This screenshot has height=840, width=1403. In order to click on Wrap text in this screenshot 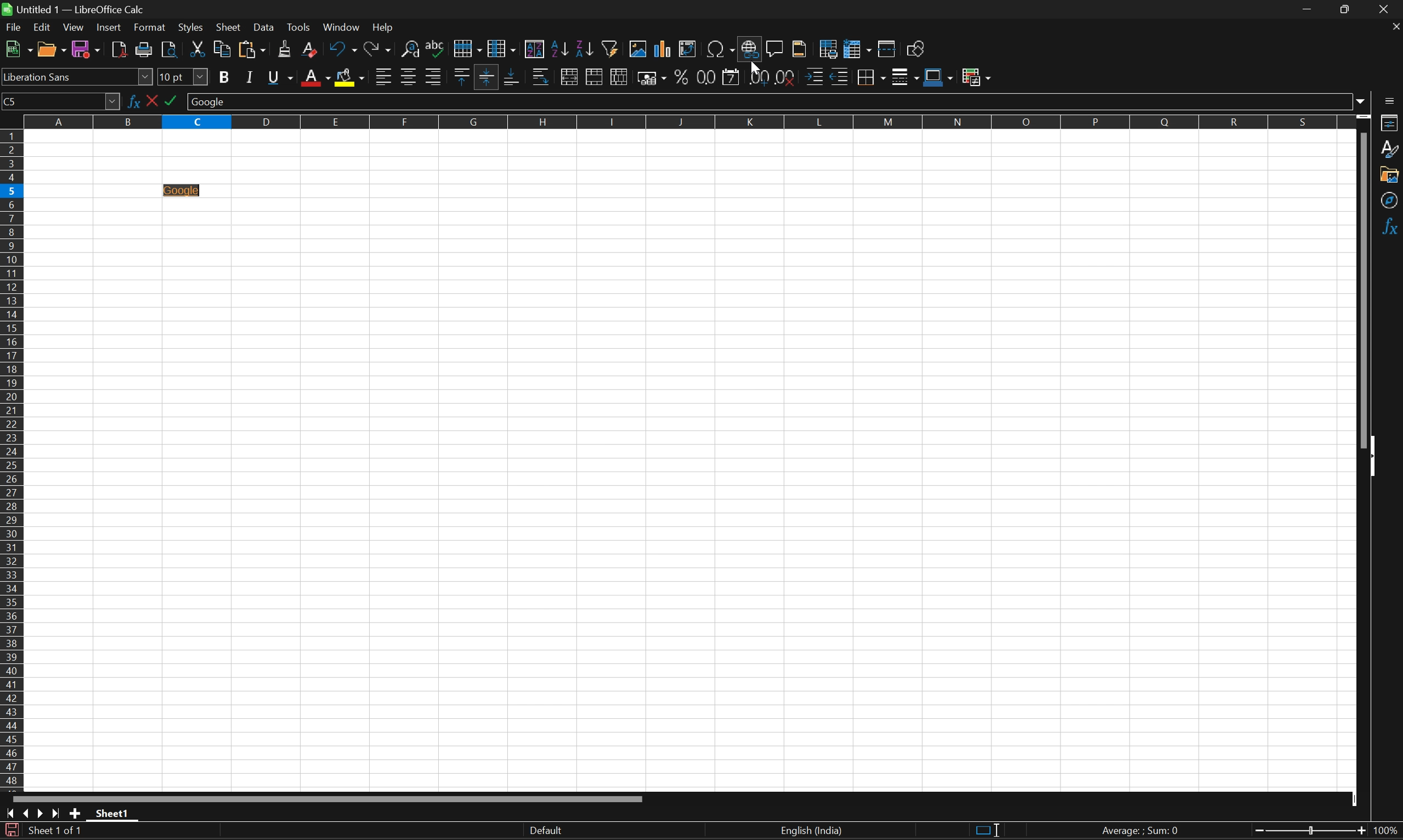, I will do `click(542, 77)`.